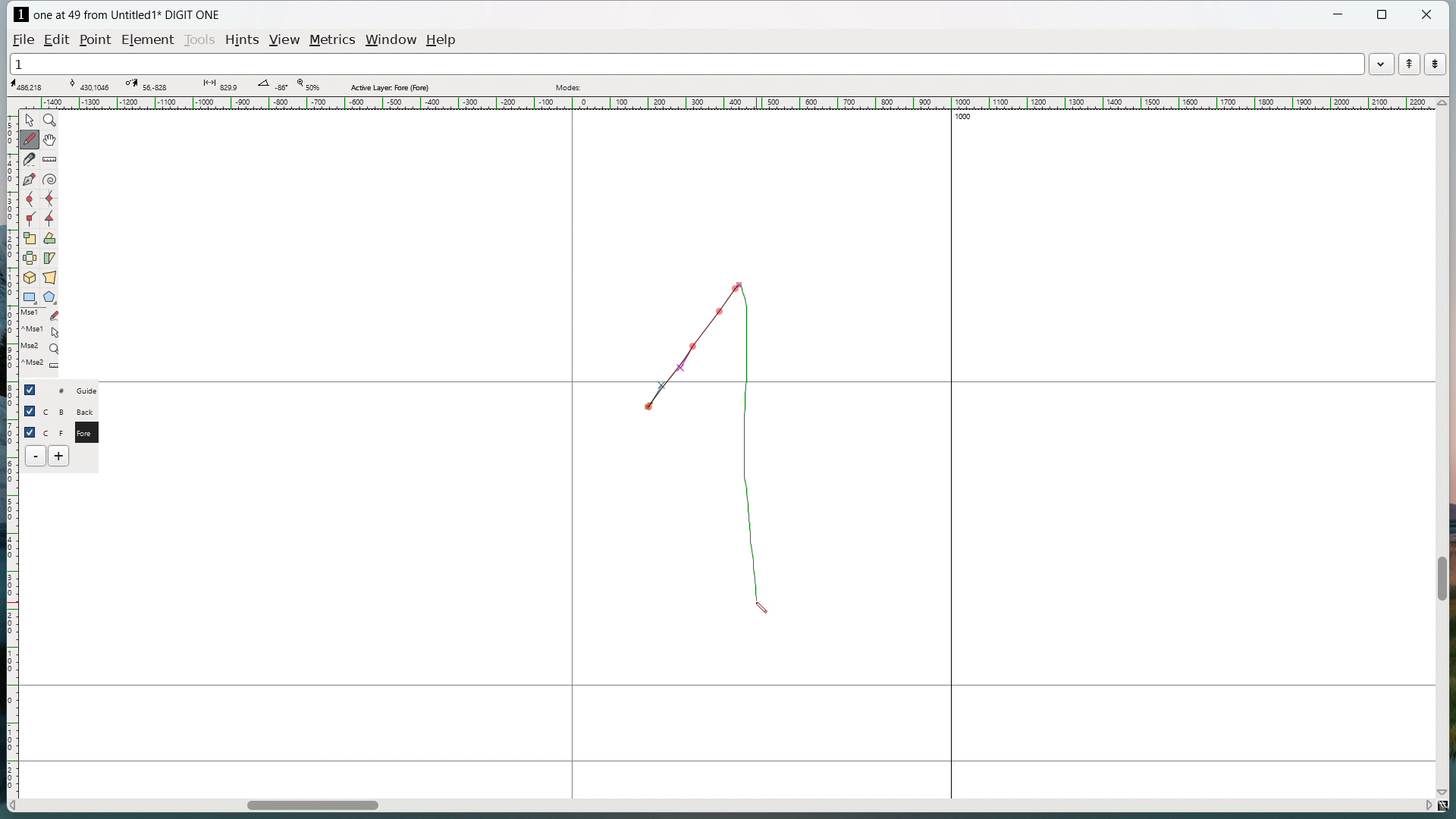  I want to click on tools, so click(199, 41).